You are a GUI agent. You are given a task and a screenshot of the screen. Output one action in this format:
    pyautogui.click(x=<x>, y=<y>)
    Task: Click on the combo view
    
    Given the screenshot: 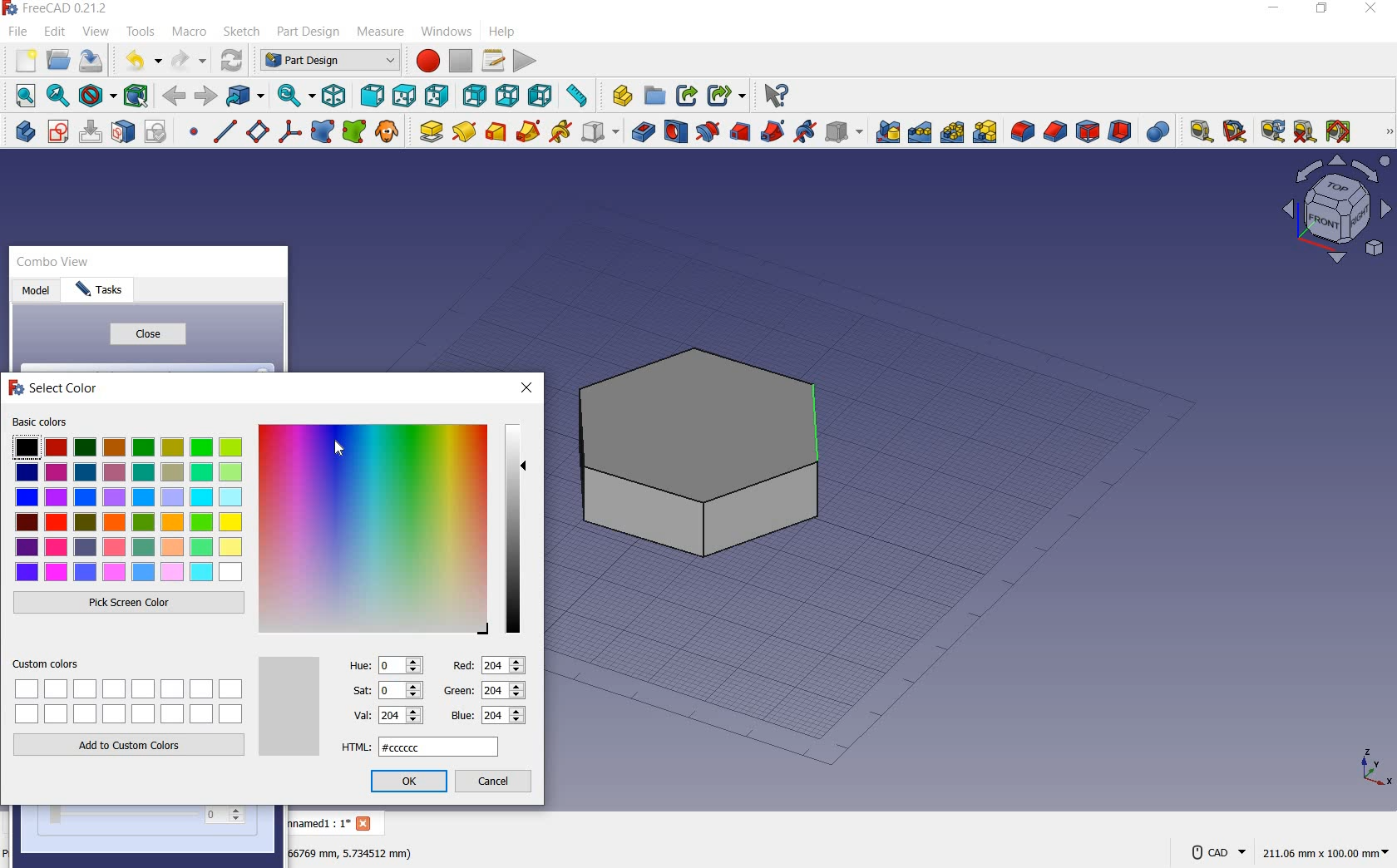 What is the action you would take?
    pyautogui.click(x=55, y=264)
    